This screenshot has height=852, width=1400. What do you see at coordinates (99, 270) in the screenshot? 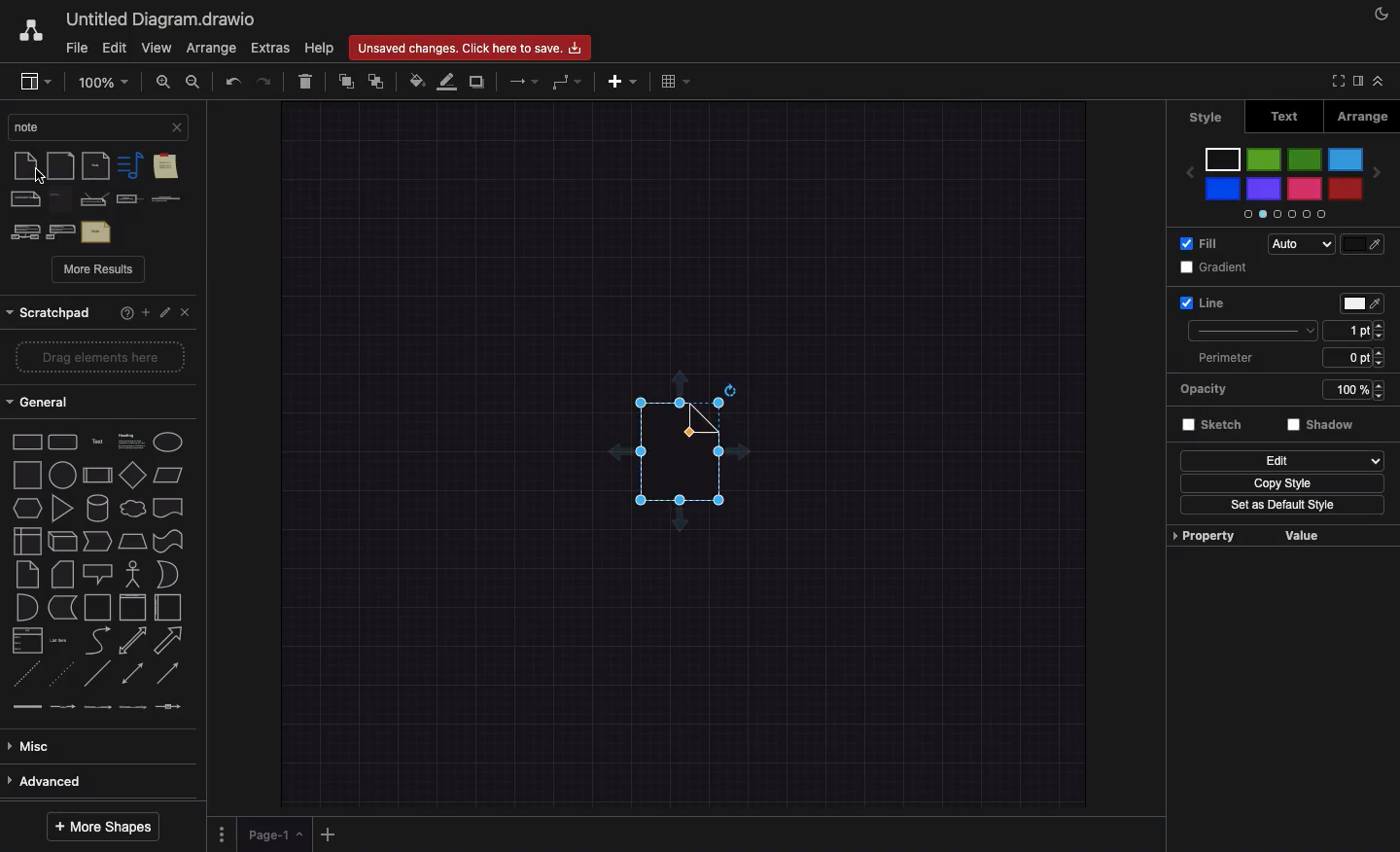
I see `More results` at bounding box center [99, 270].